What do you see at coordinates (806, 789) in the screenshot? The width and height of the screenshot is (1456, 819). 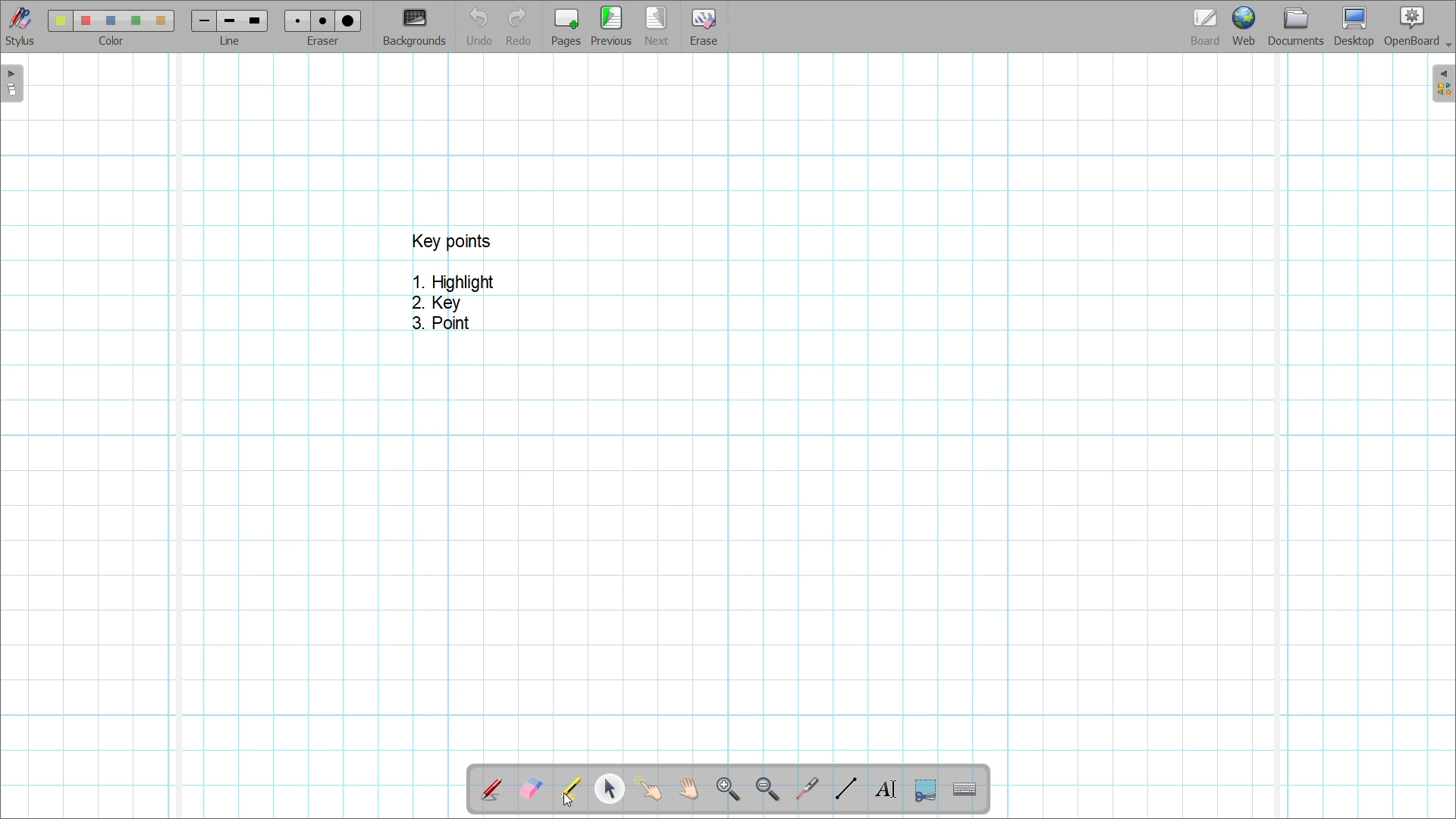 I see `Use virtual laser` at bounding box center [806, 789].